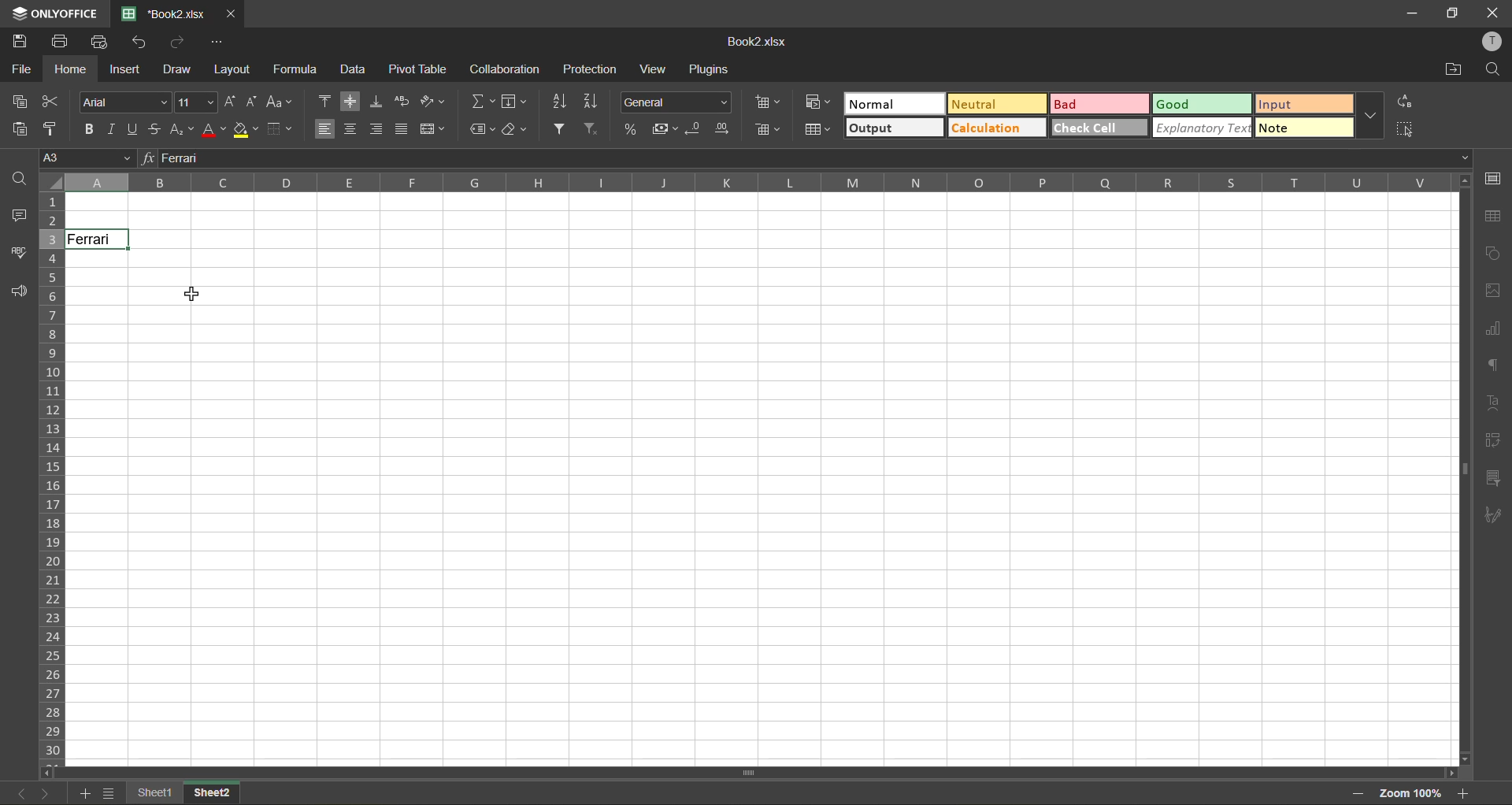  Describe the element at coordinates (102, 242) in the screenshot. I see `Ferrari` at that location.